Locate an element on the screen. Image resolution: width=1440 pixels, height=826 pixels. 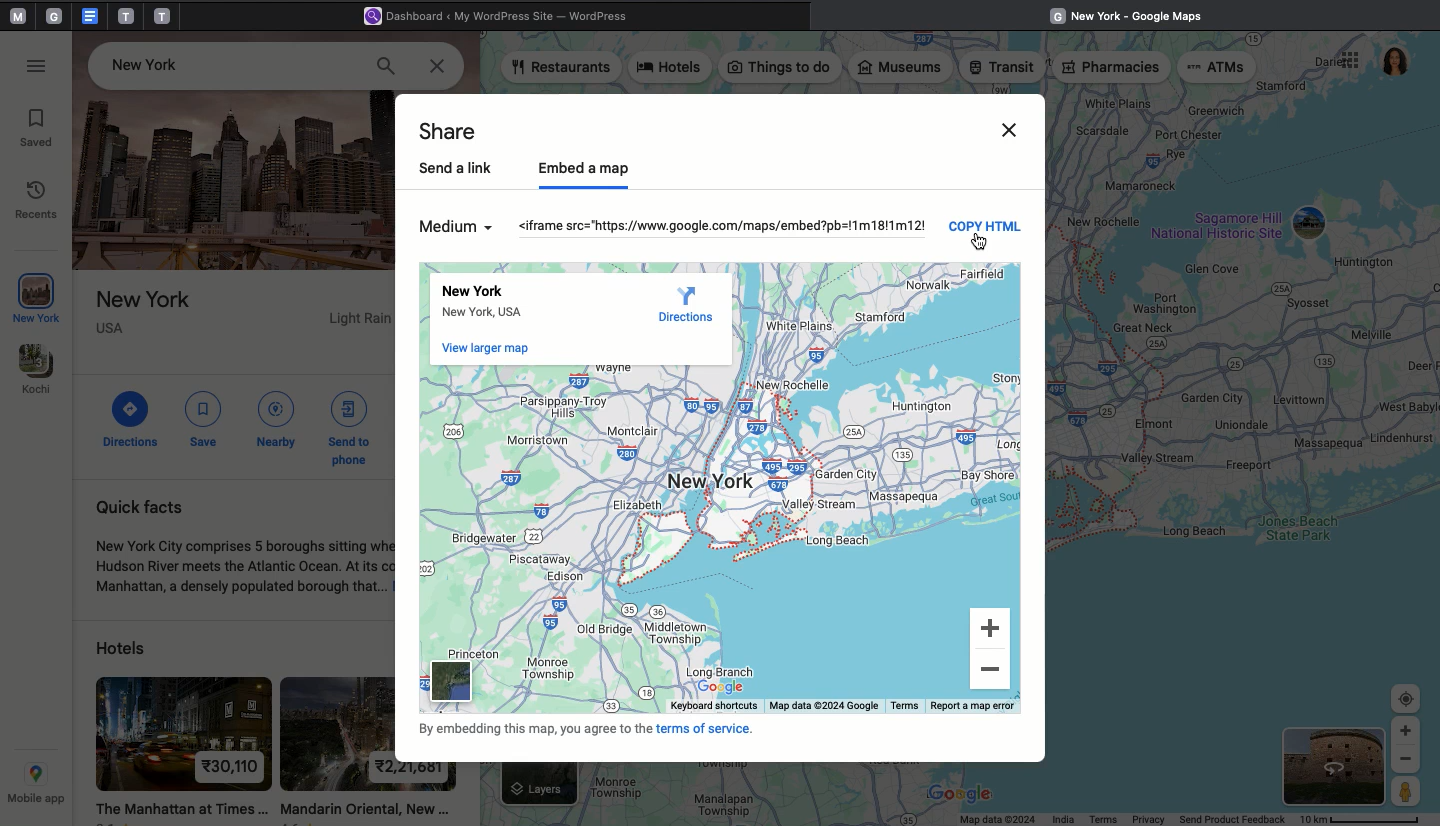
Pinned tabs is located at coordinates (15, 17).